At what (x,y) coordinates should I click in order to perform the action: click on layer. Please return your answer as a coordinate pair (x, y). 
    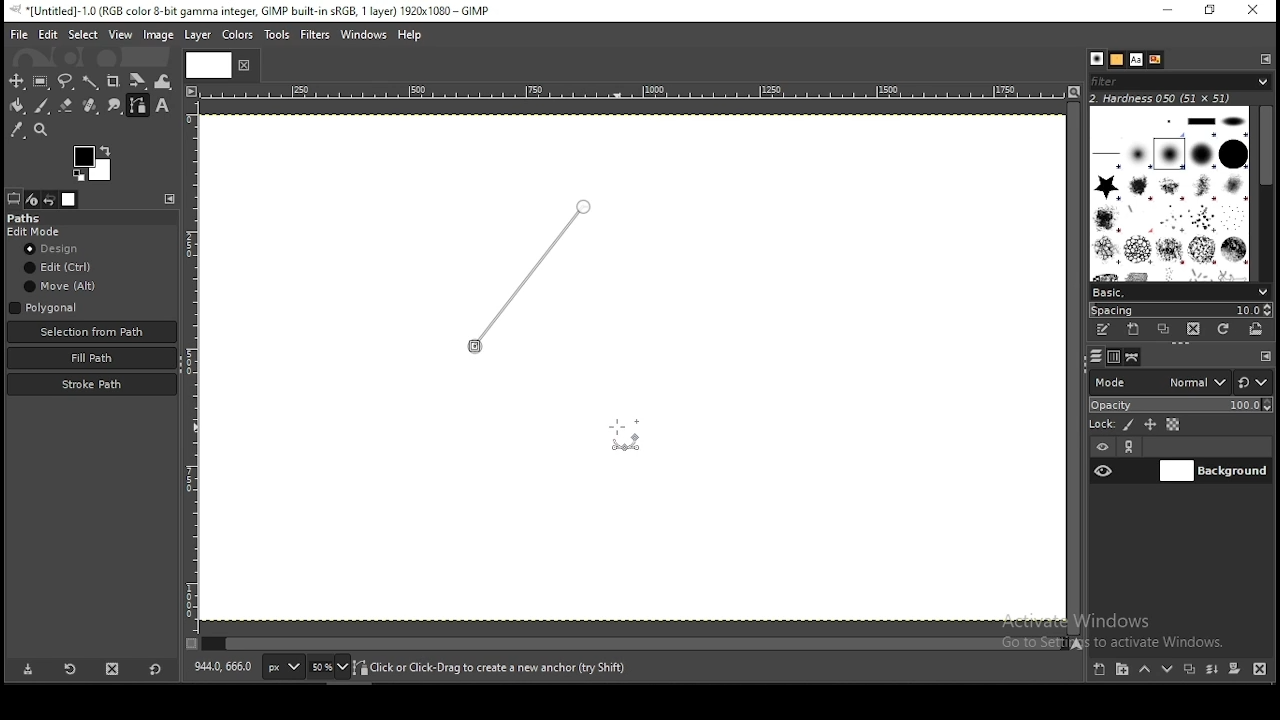
    Looking at the image, I should click on (202, 36).